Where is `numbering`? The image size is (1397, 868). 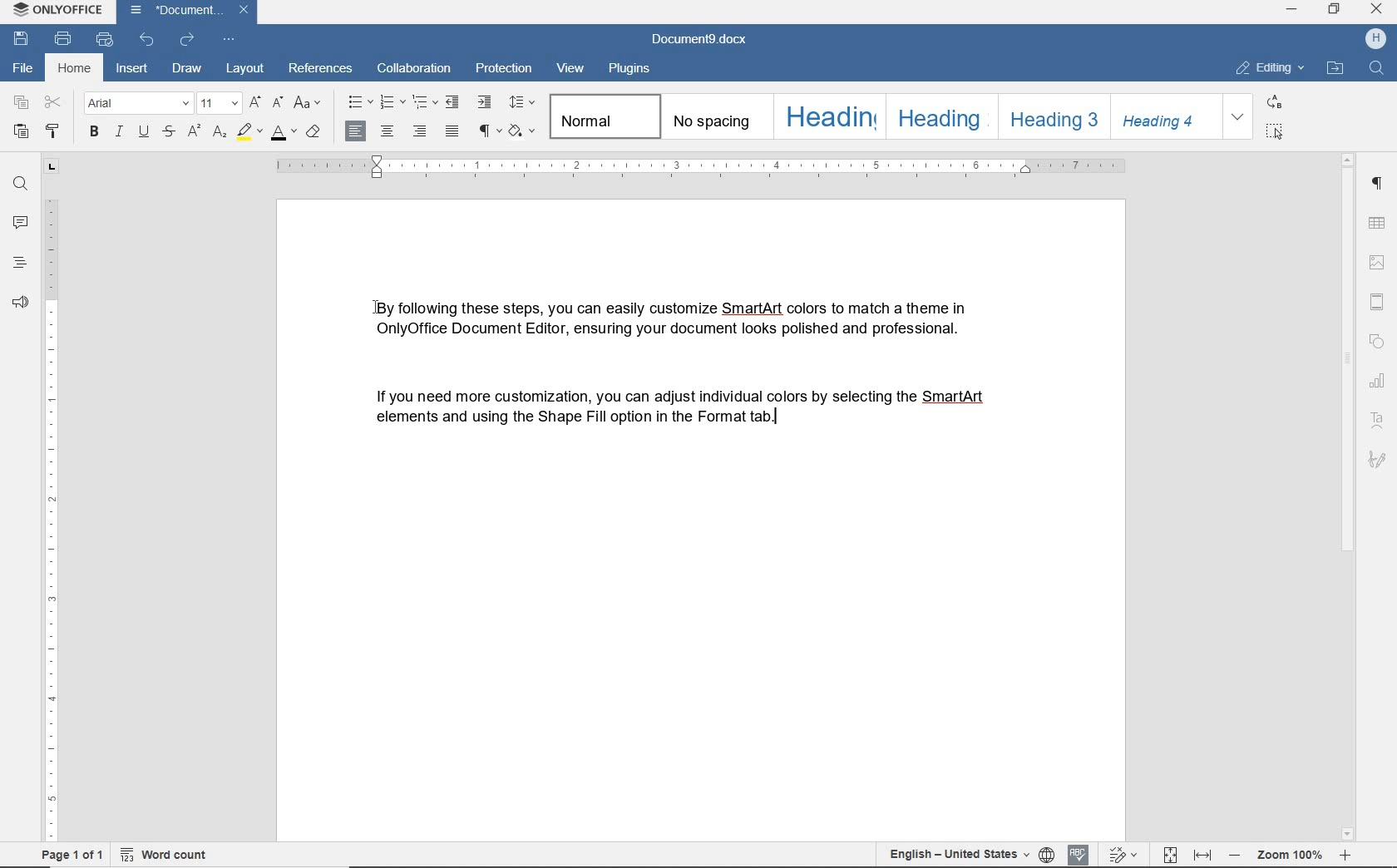 numbering is located at coordinates (388, 100).